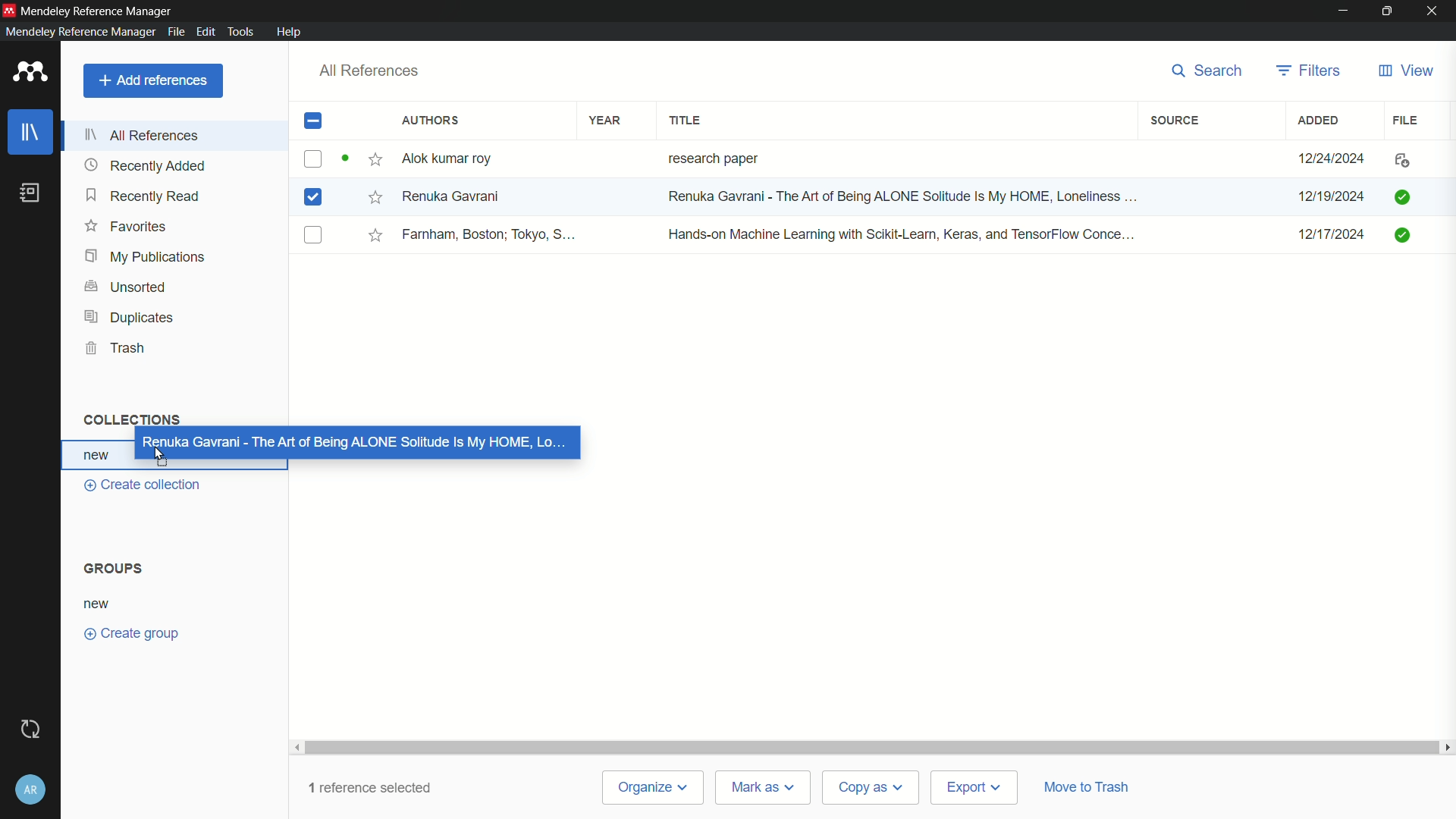 The height and width of the screenshot is (819, 1456). I want to click on view, so click(1407, 71).